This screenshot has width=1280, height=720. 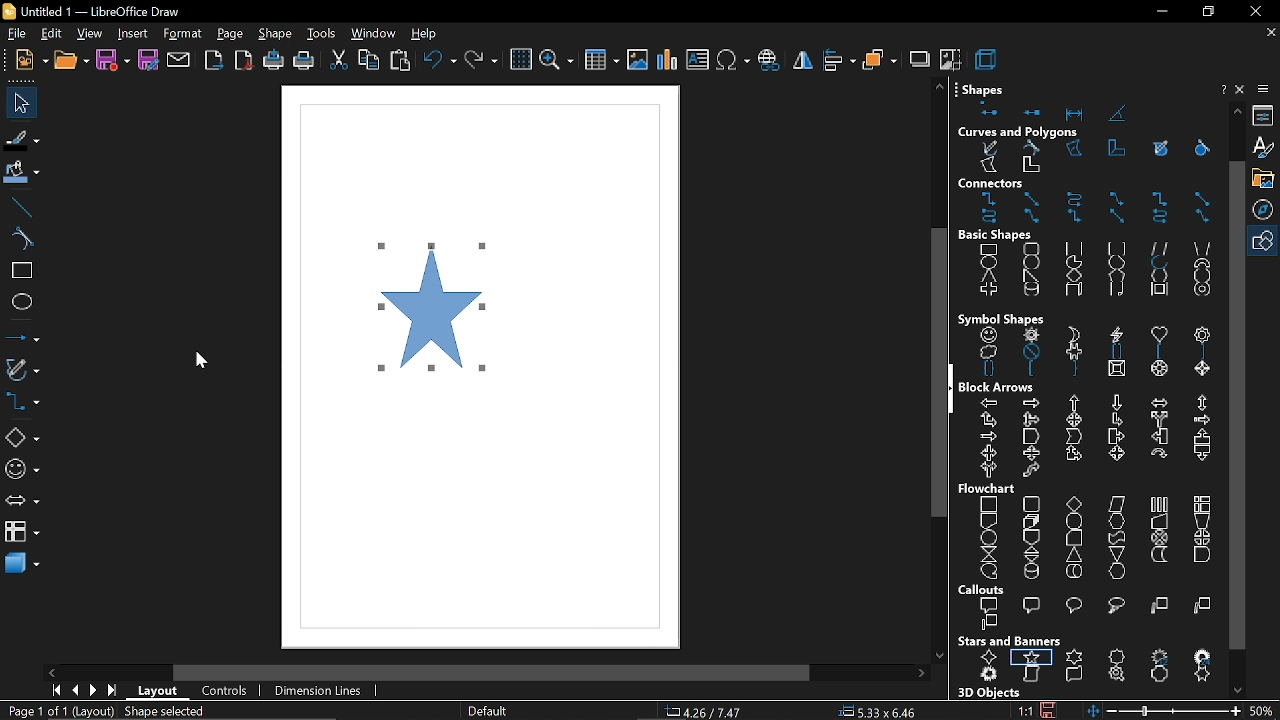 I want to click on line color, so click(x=20, y=138).